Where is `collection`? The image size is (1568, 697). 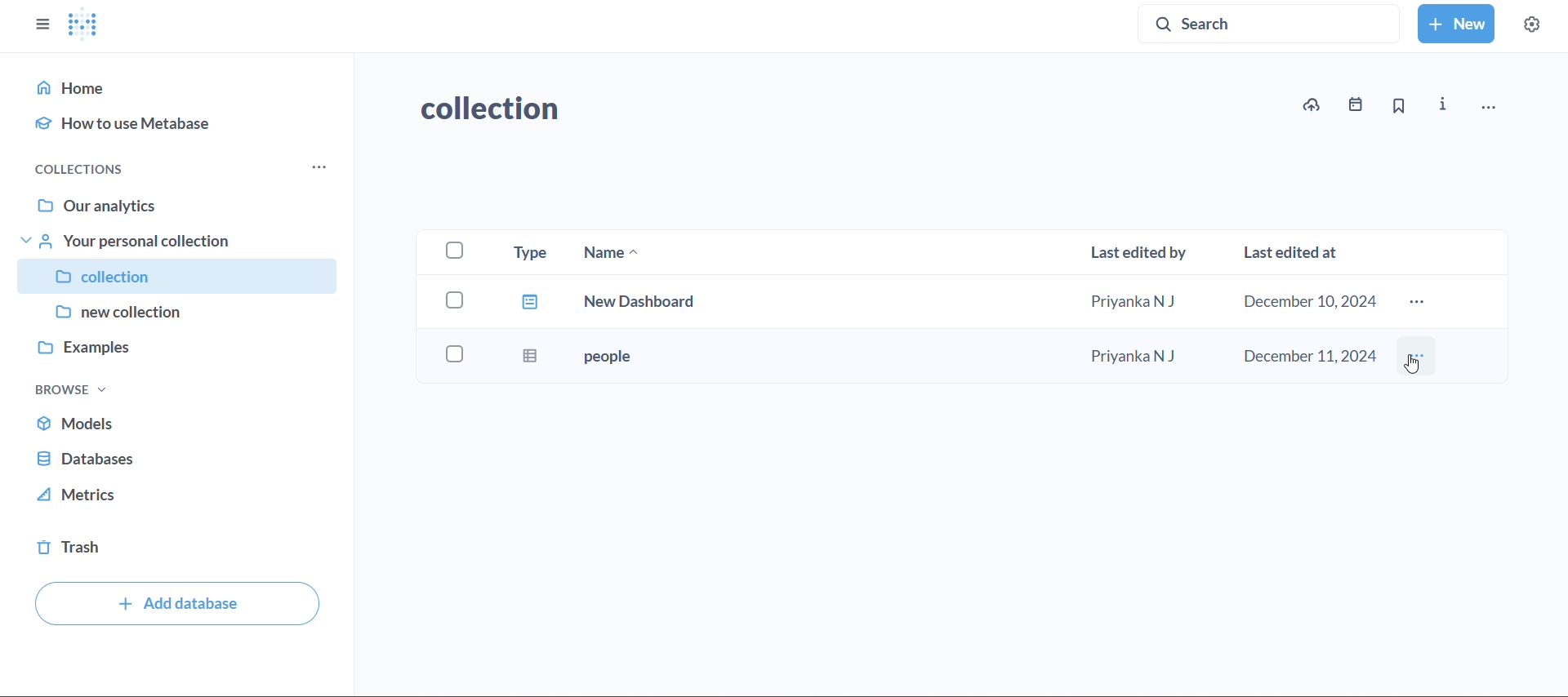 collection is located at coordinates (488, 105).